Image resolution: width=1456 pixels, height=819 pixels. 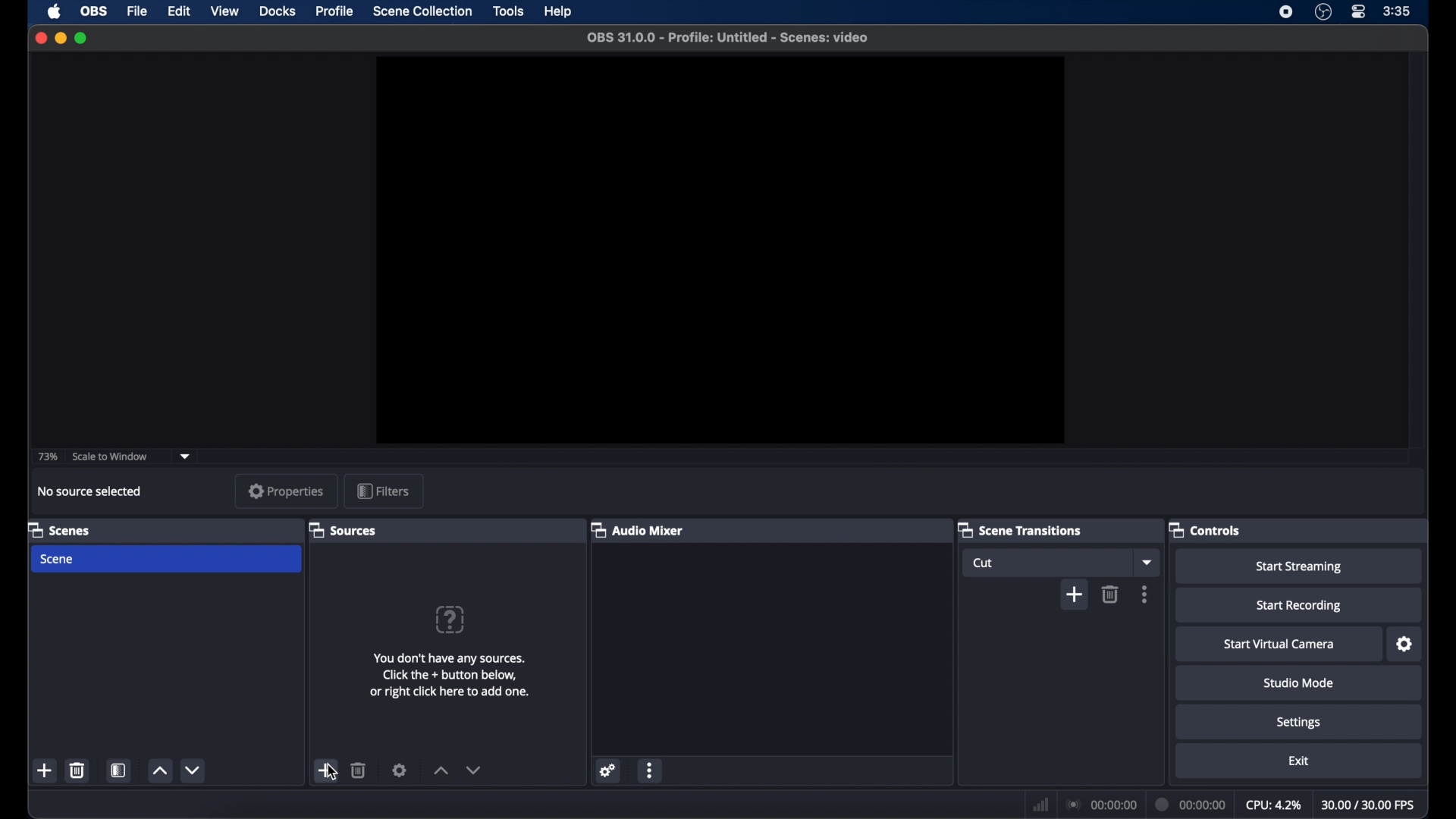 I want to click on sources, so click(x=343, y=529).